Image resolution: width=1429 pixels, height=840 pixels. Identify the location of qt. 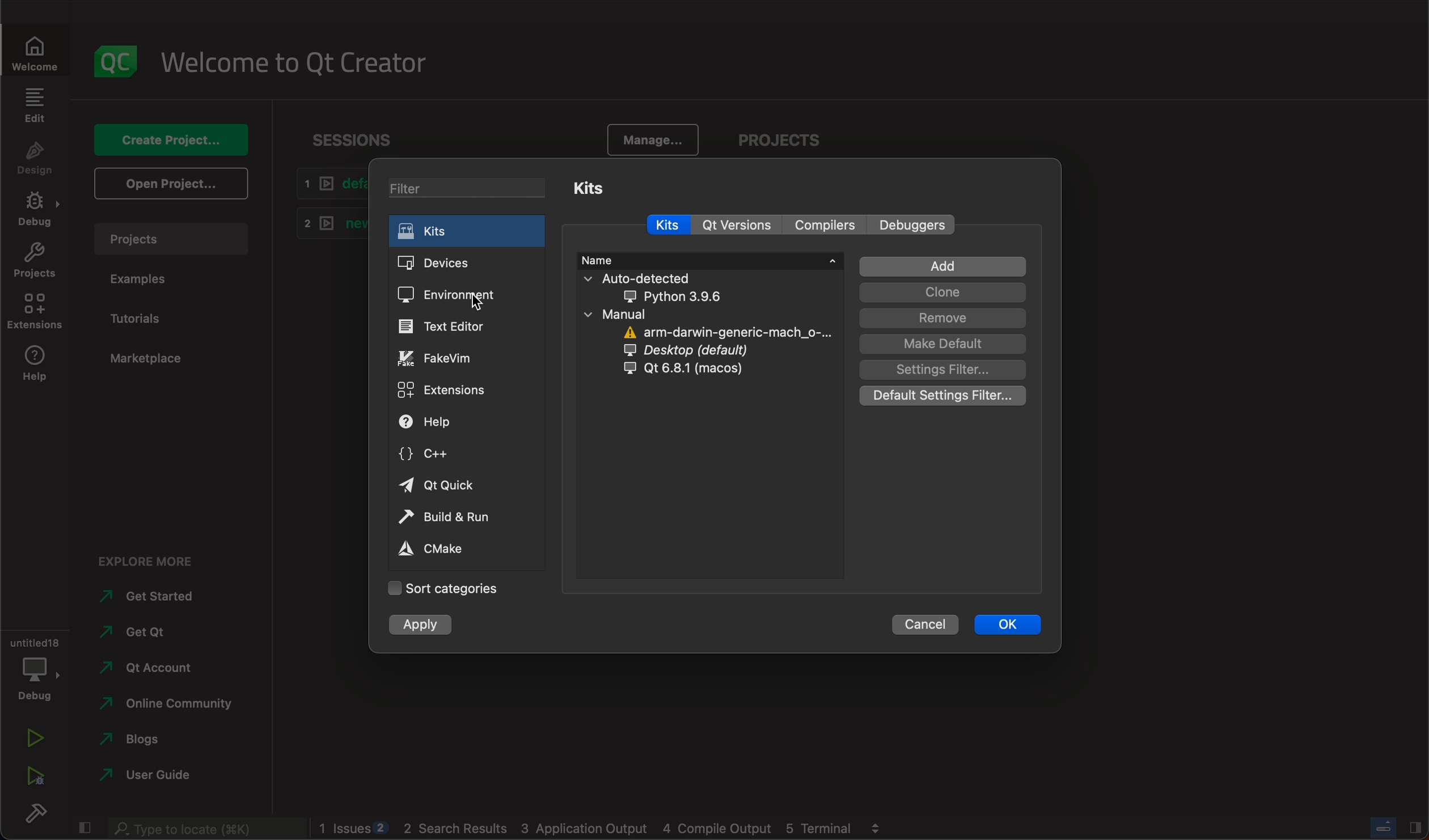
(717, 371).